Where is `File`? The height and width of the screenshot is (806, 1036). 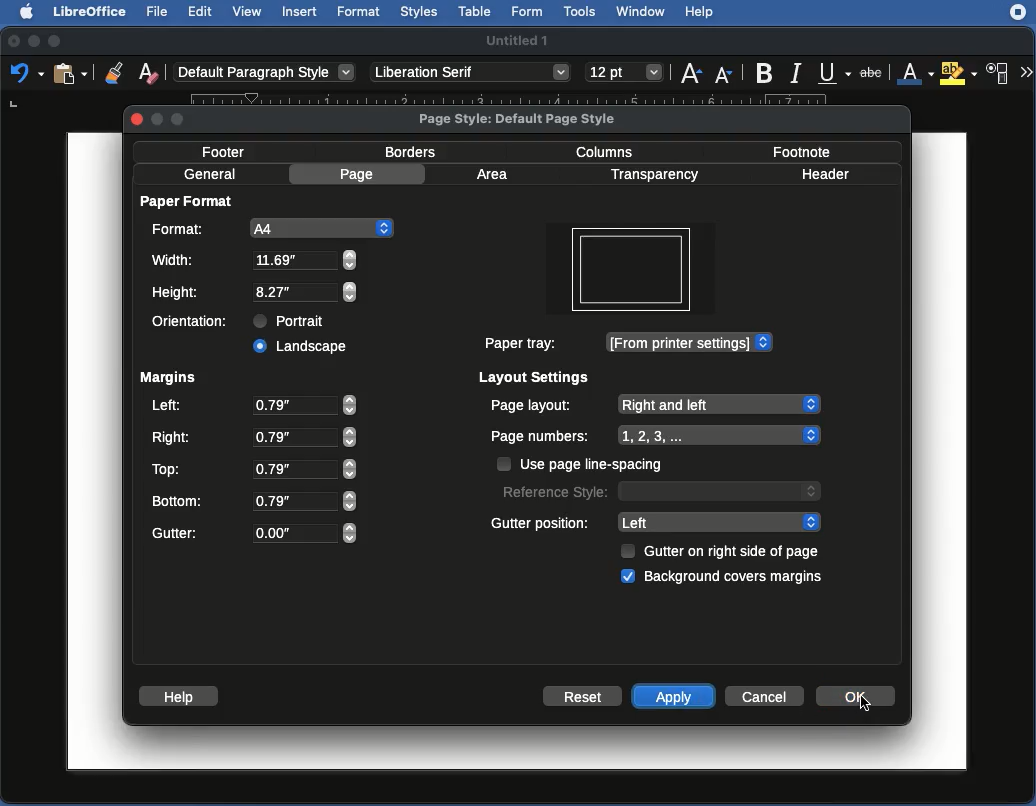
File is located at coordinates (161, 13).